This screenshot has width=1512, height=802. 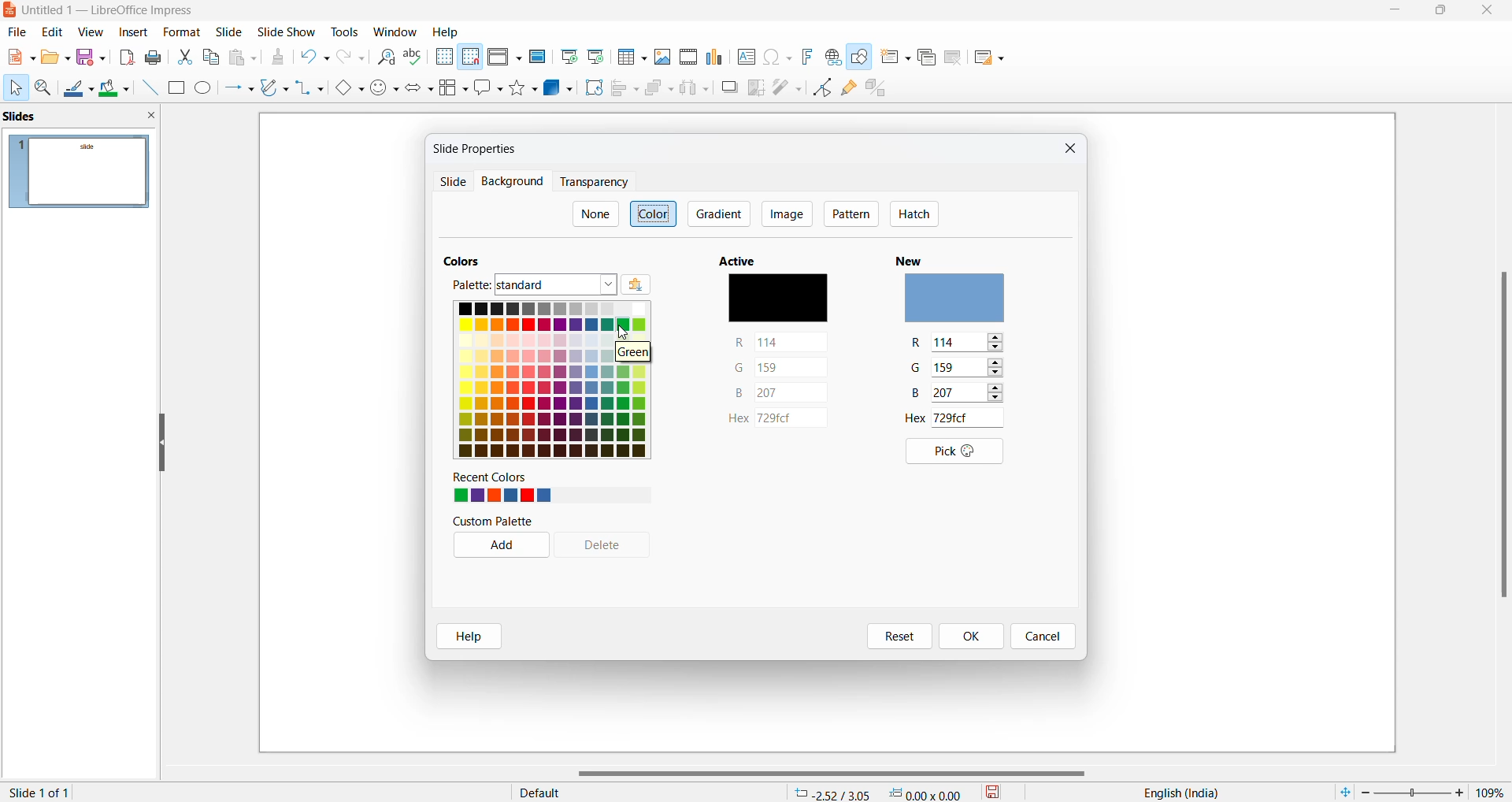 I want to click on insert image, so click(x=663, y=56).